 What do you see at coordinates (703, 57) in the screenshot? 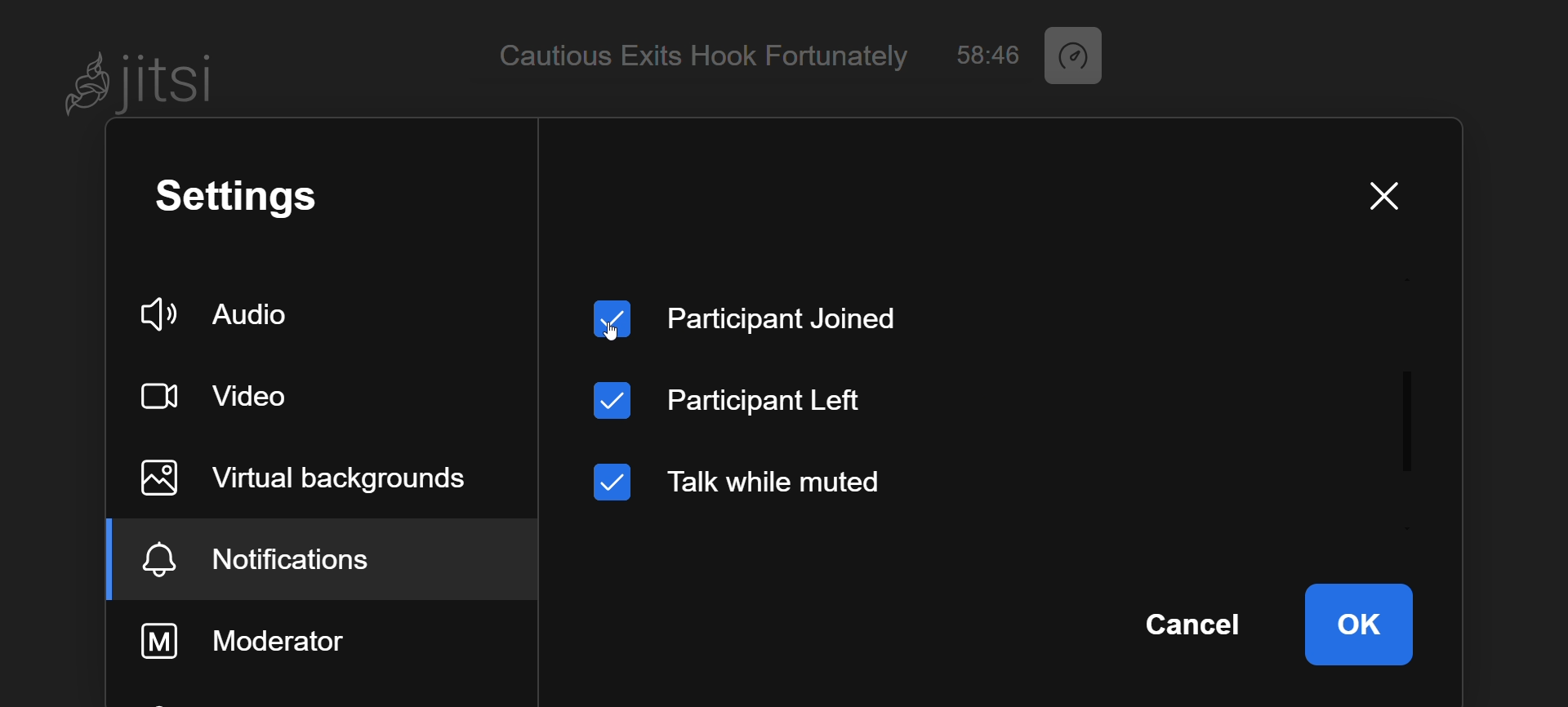
I see `Cautious Exits Hook Fortunately` at bounding box center [703, 57].